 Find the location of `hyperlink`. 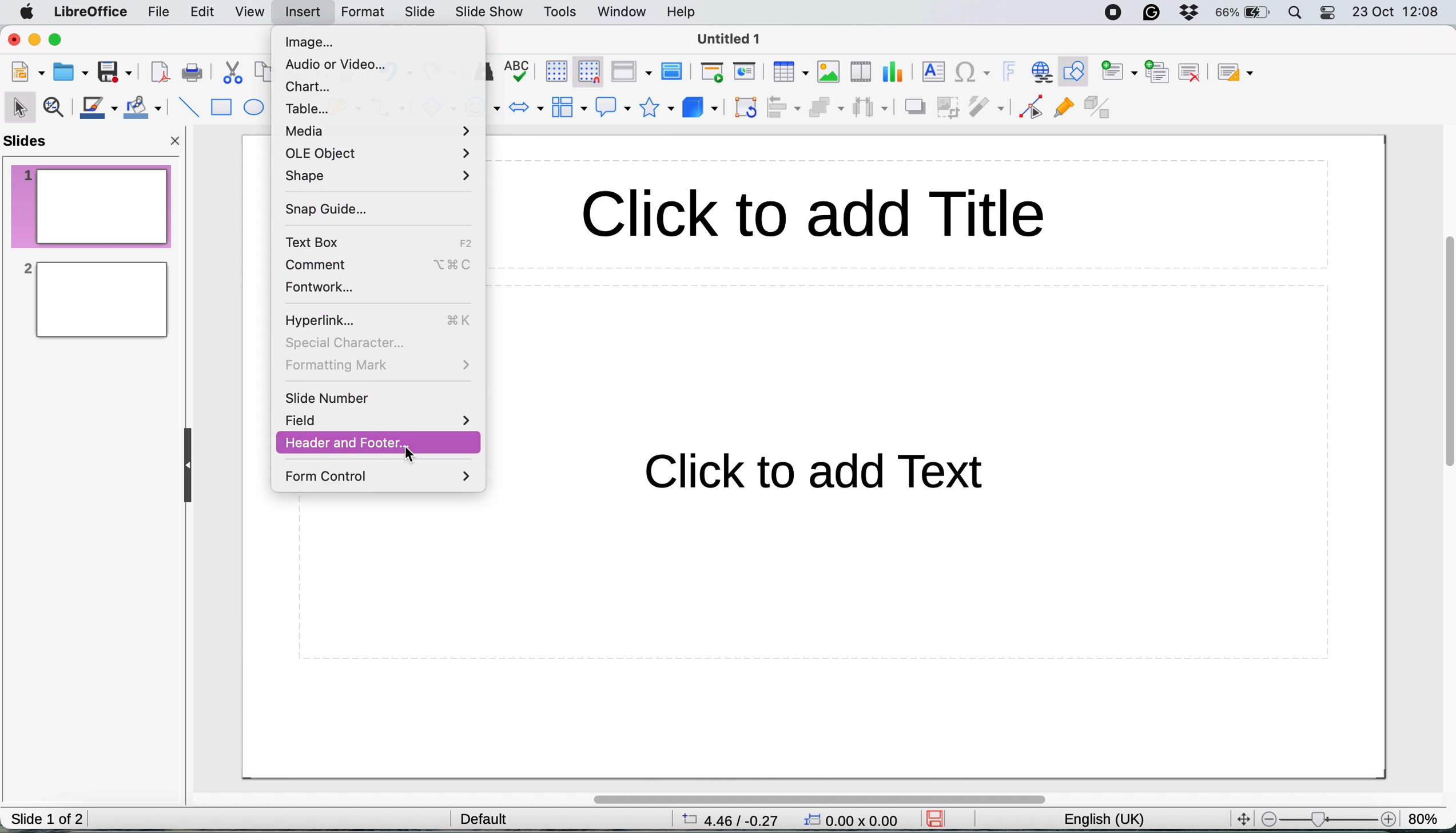

hyperlink is located at coordinates (327, 319).